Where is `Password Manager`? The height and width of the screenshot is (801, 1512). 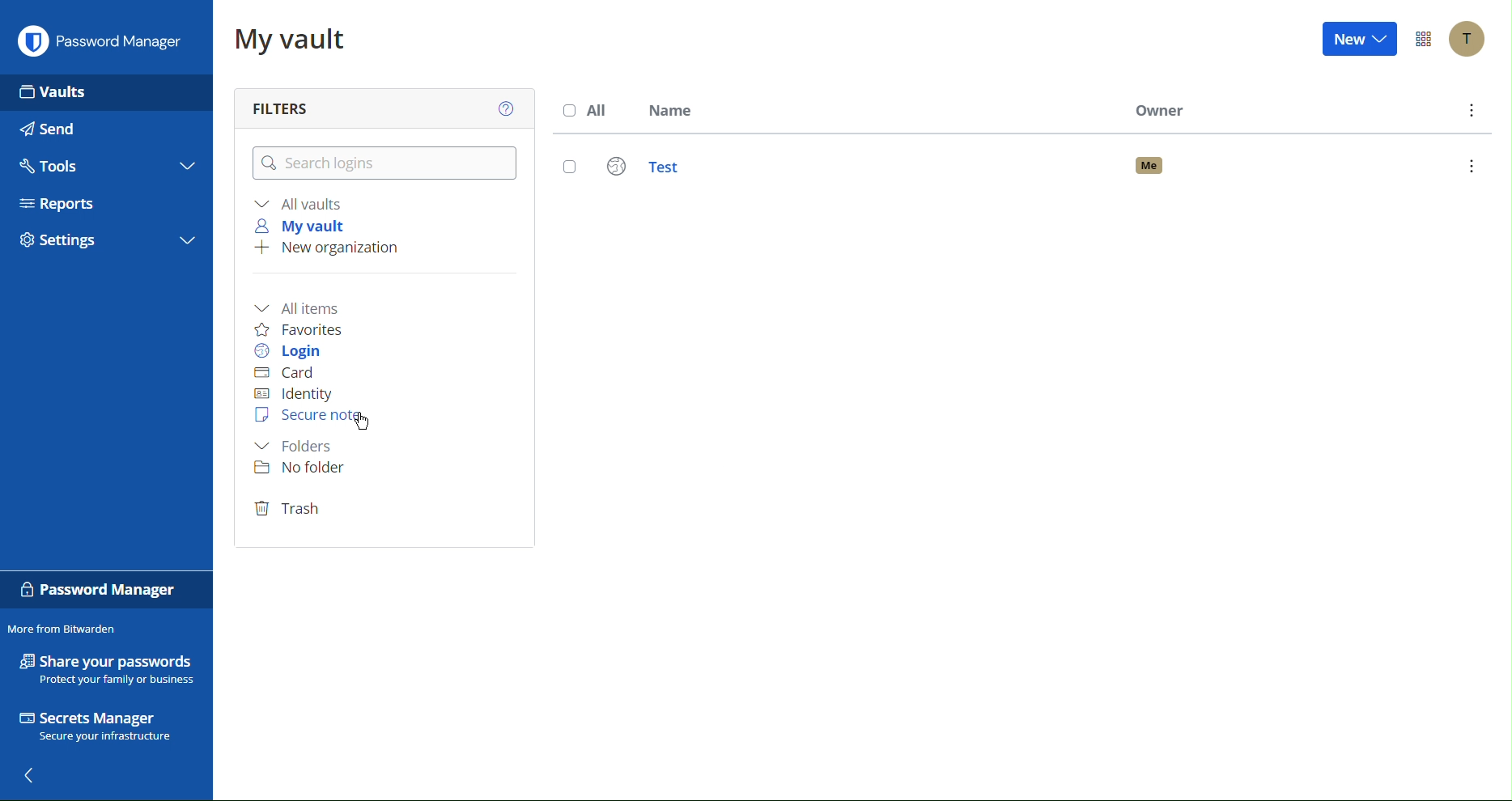
Password Manager is located at coordinates (104, 590).